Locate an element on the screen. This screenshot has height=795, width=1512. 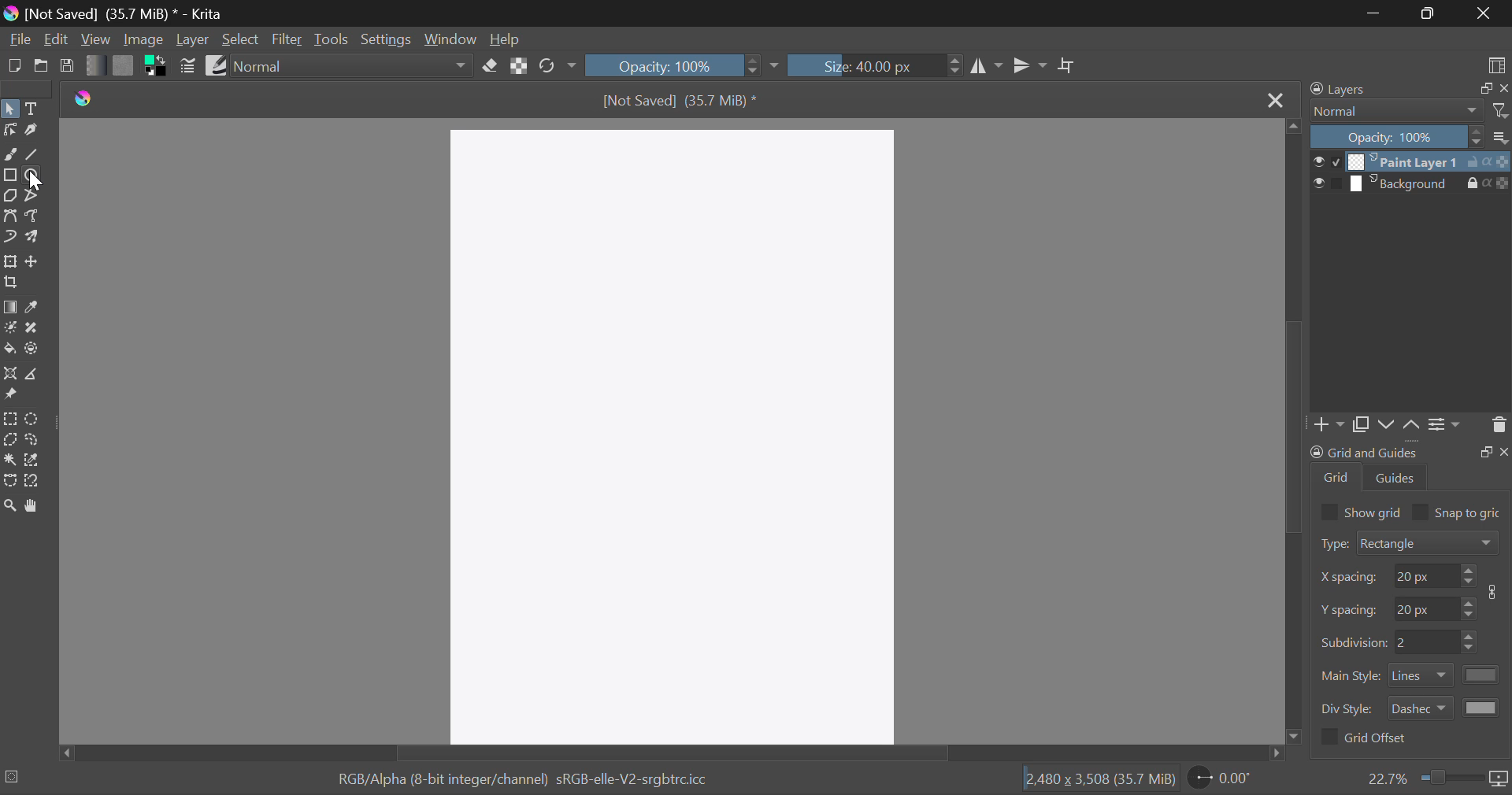
Brush Presets is located at coordinates (217, 65).